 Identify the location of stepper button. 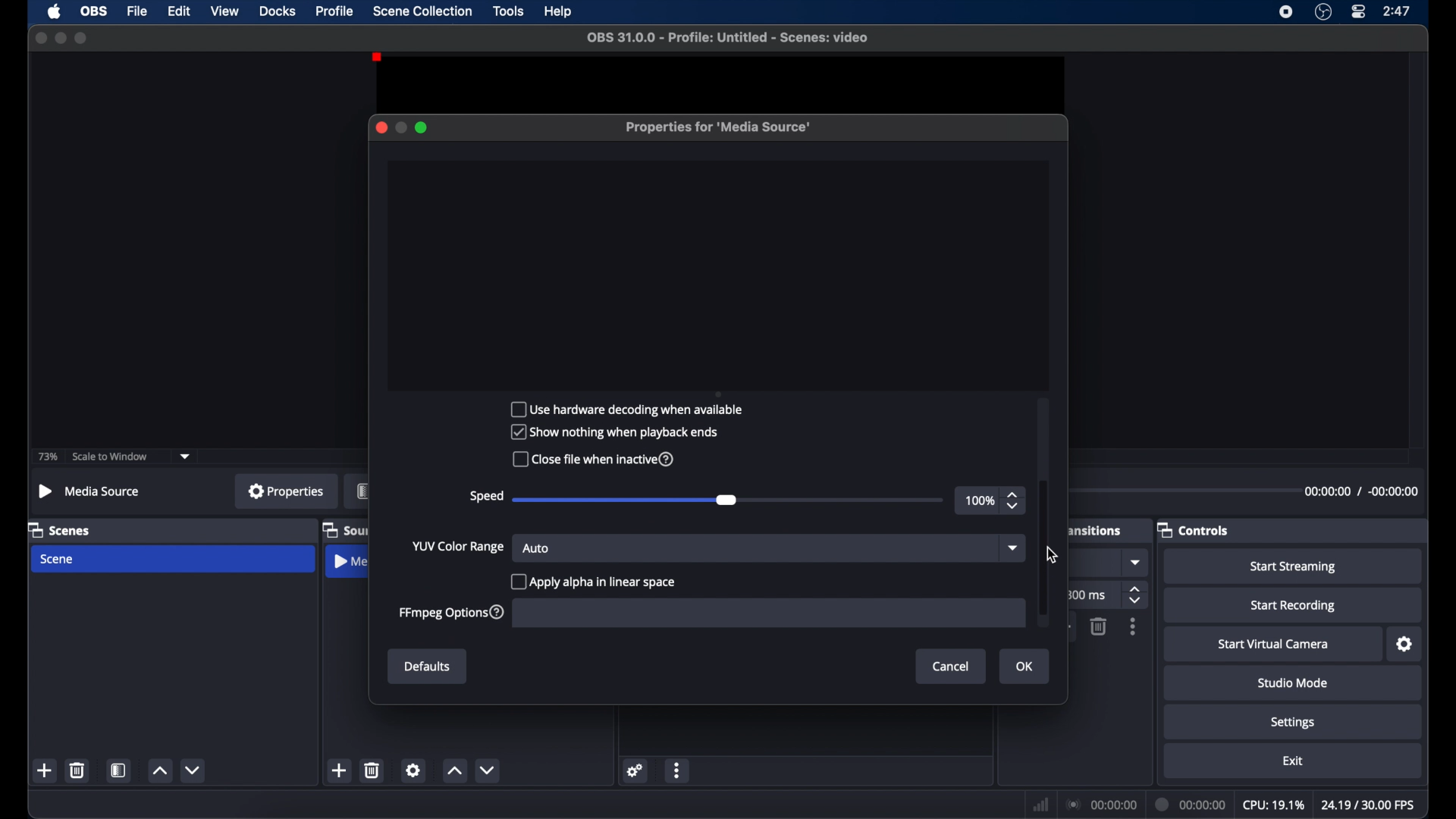
(1015, 500).